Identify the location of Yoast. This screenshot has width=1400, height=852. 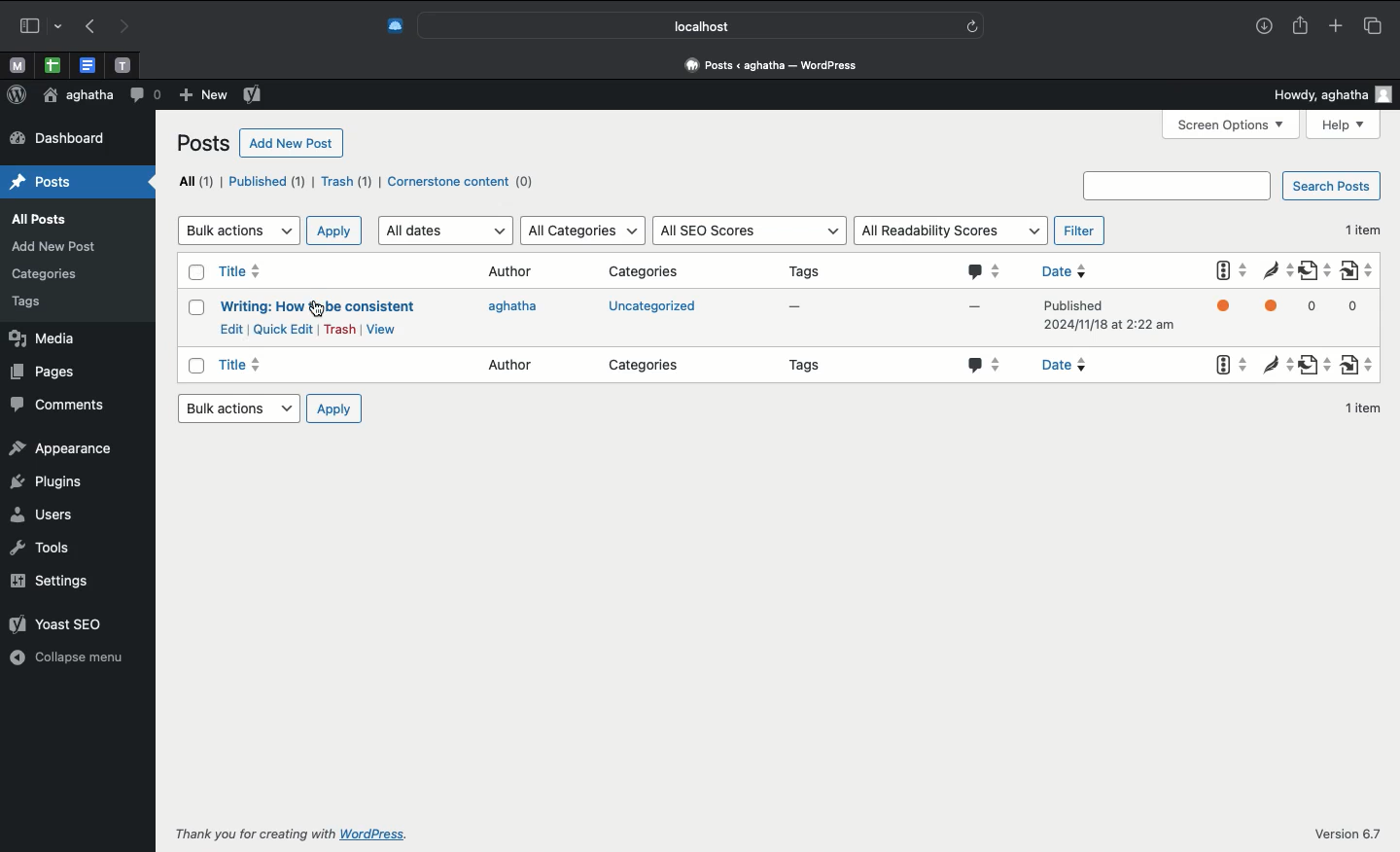
(1229, 312).